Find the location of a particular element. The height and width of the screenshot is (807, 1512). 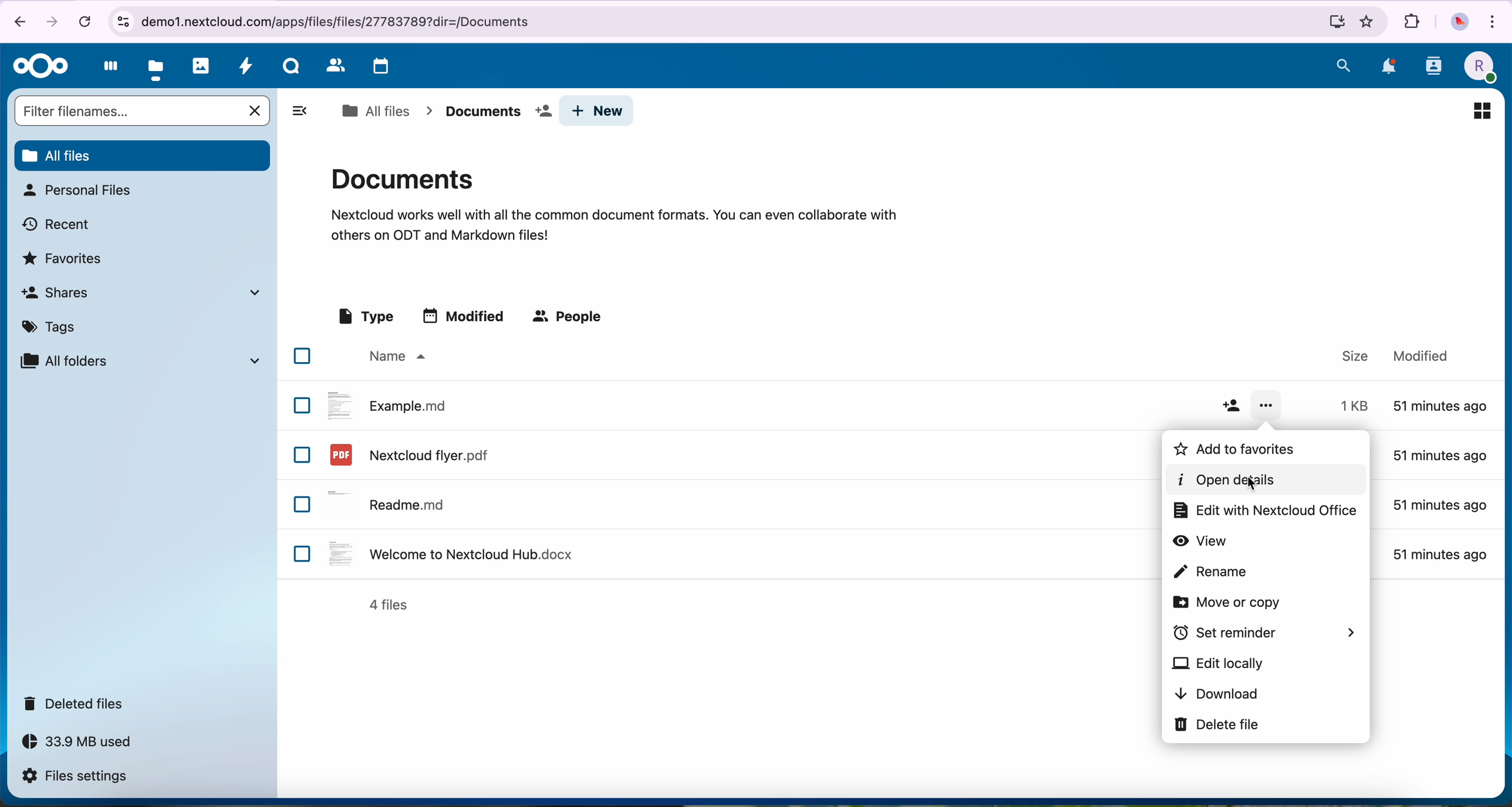

checkbox is located at coordinates (302, 455).